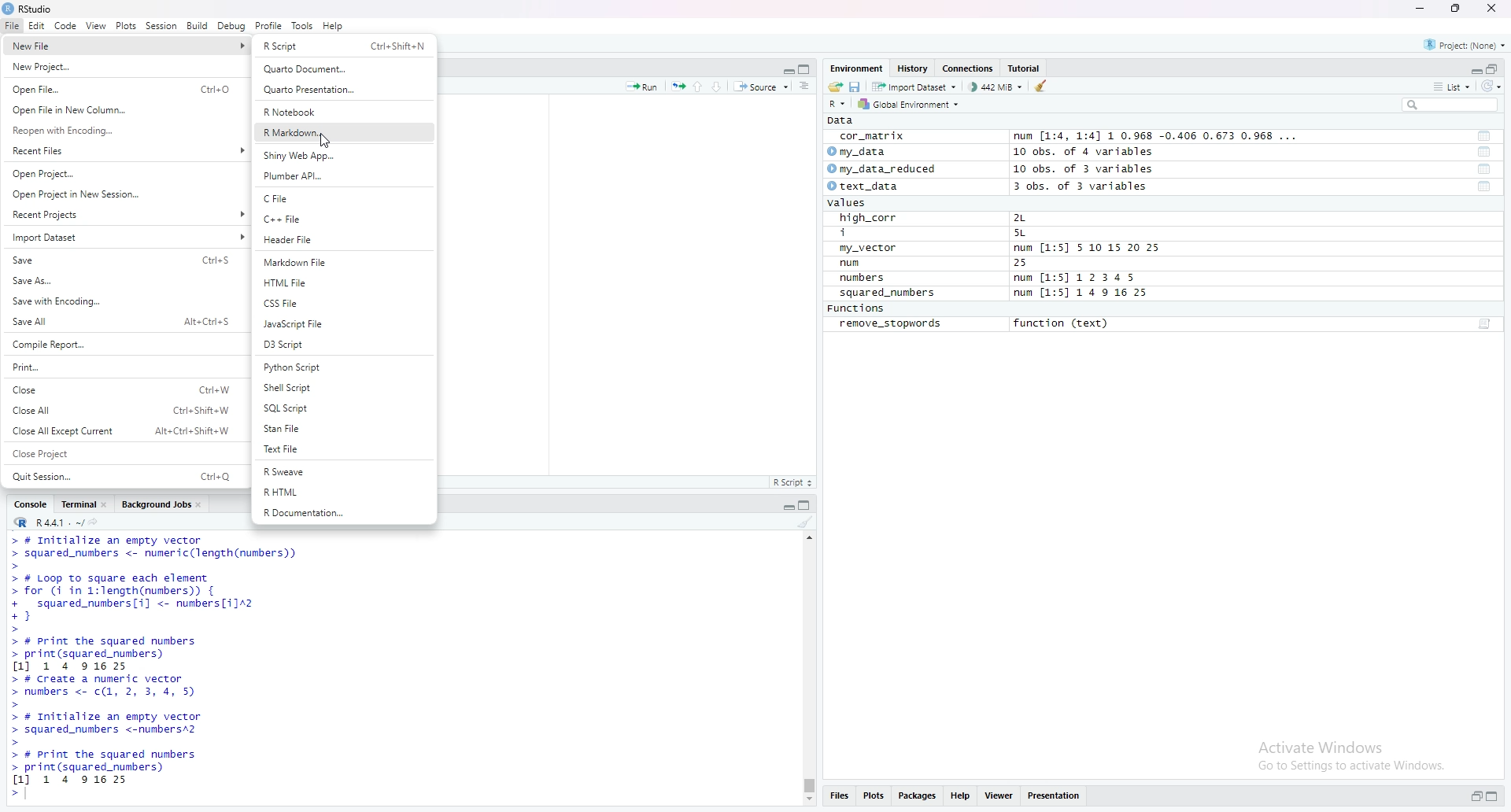 Image resolution: width=1511 pixels, height=812 pixels. What do you see at coordinates (891, 169) in the screenshot?
I see `my_data_reduced` at bounding box center [891, 169].